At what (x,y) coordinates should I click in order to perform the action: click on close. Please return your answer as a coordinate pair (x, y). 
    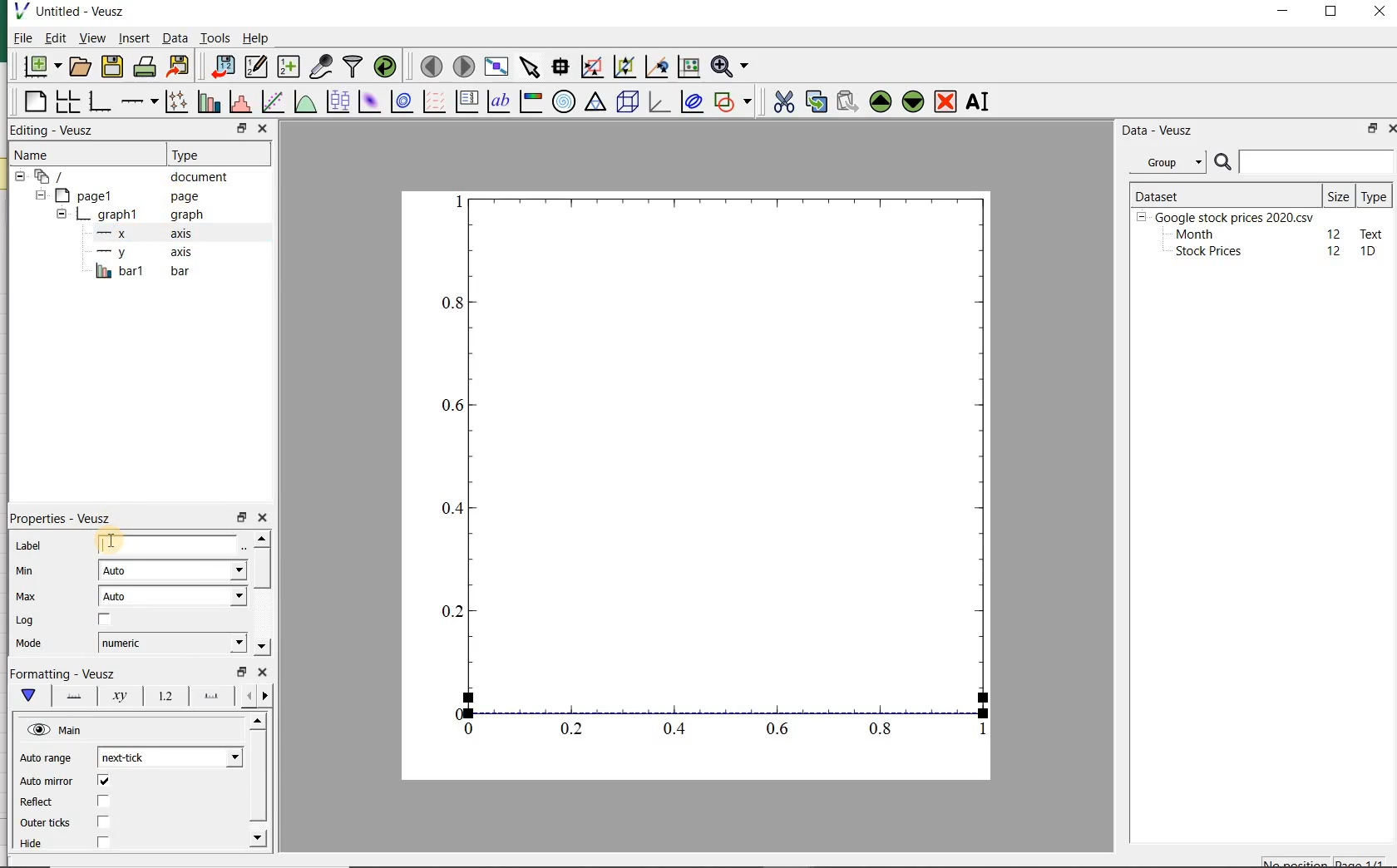
    Looking at the image, I should click on (262, 128).